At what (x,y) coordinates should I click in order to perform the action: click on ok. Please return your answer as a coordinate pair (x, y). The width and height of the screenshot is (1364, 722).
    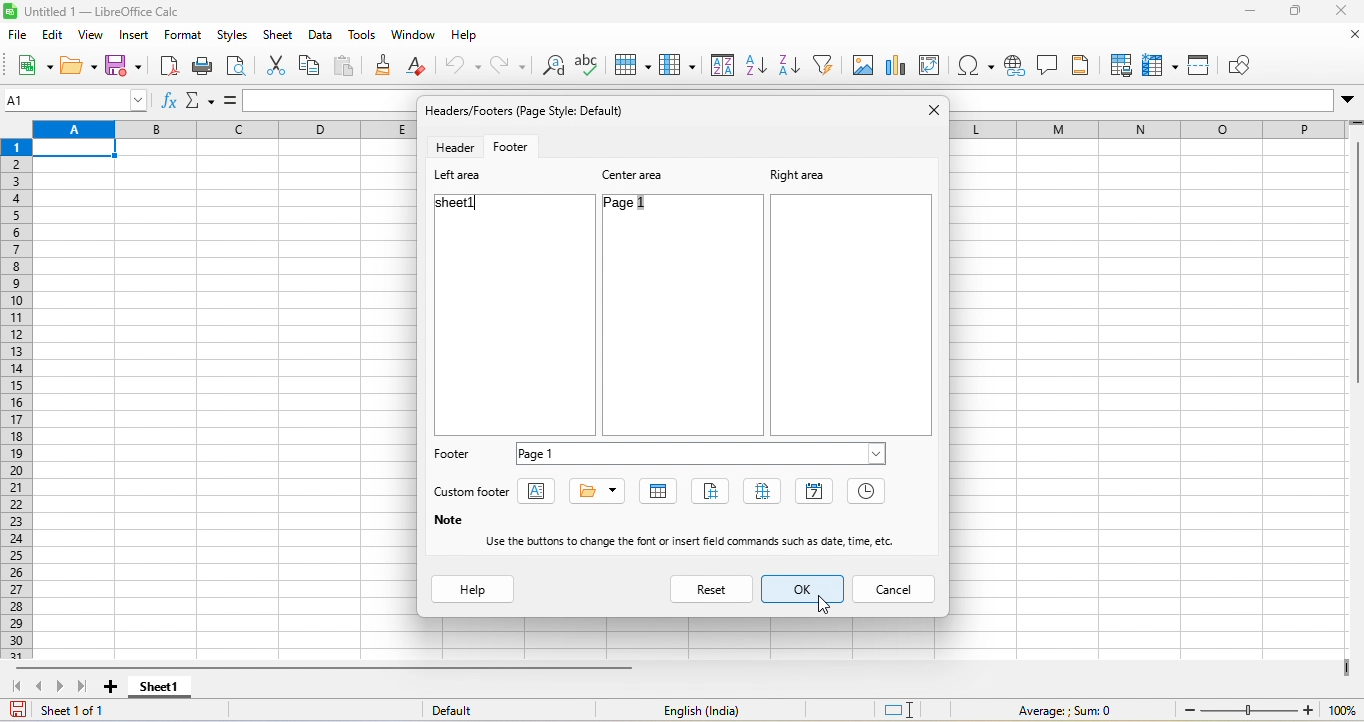
    Looking at the image, I should click on (803, 590).